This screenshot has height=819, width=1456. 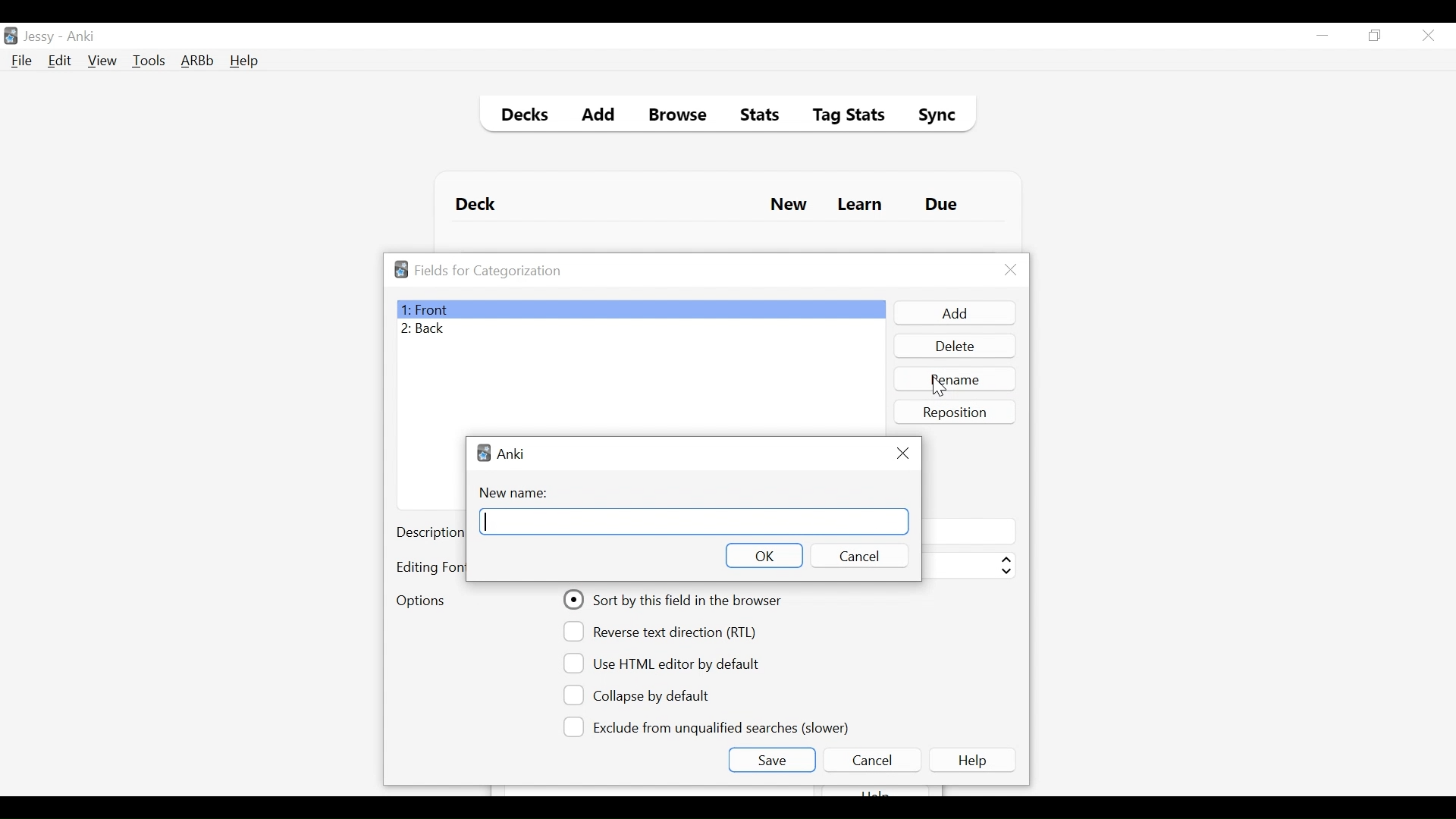 I want to click on Save, so click(x=771, y=760).